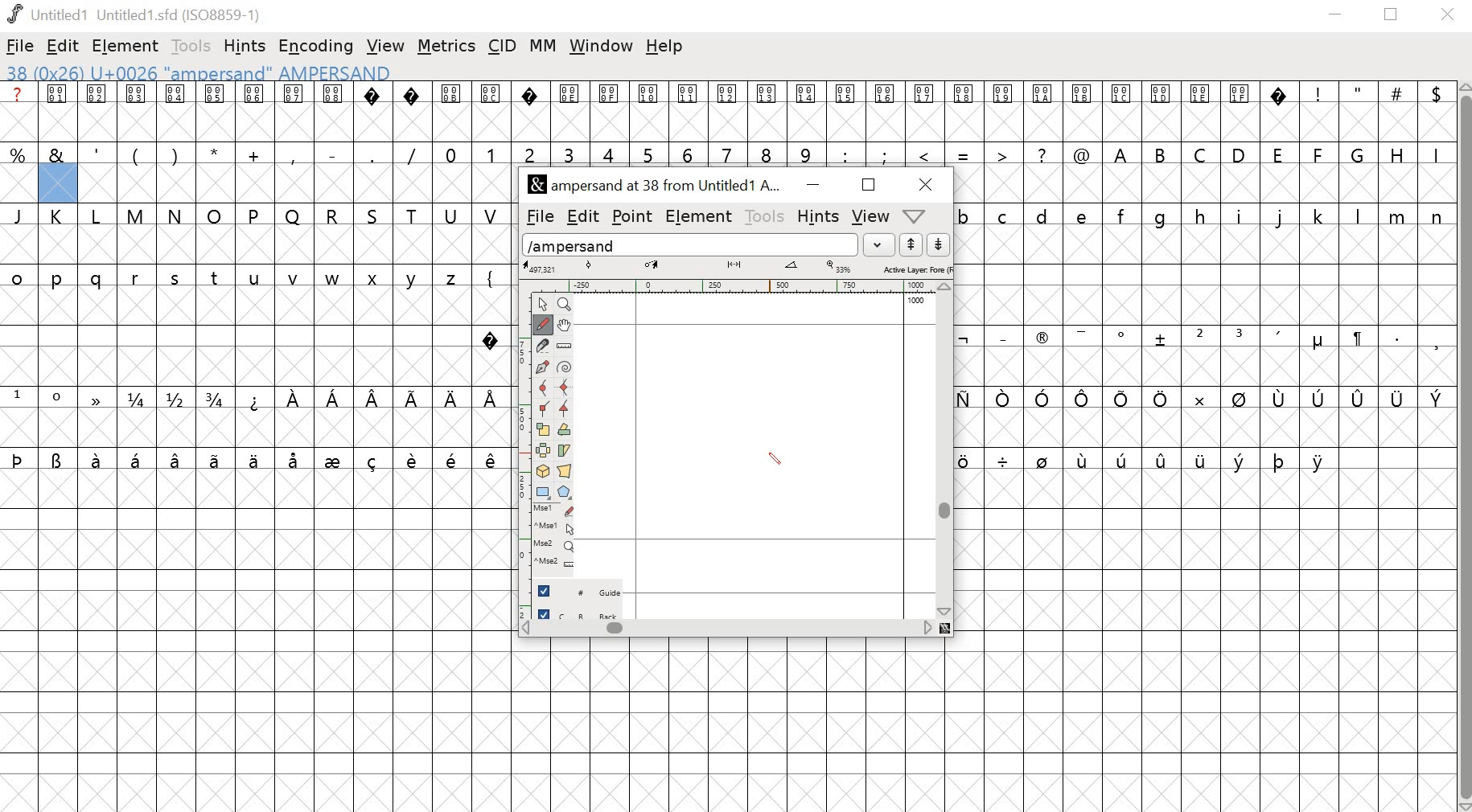 This screenshot has width=1472, height=812. Describe the element at coordinates (1436, 397) in the screenshot. I see `symbol` at that location.